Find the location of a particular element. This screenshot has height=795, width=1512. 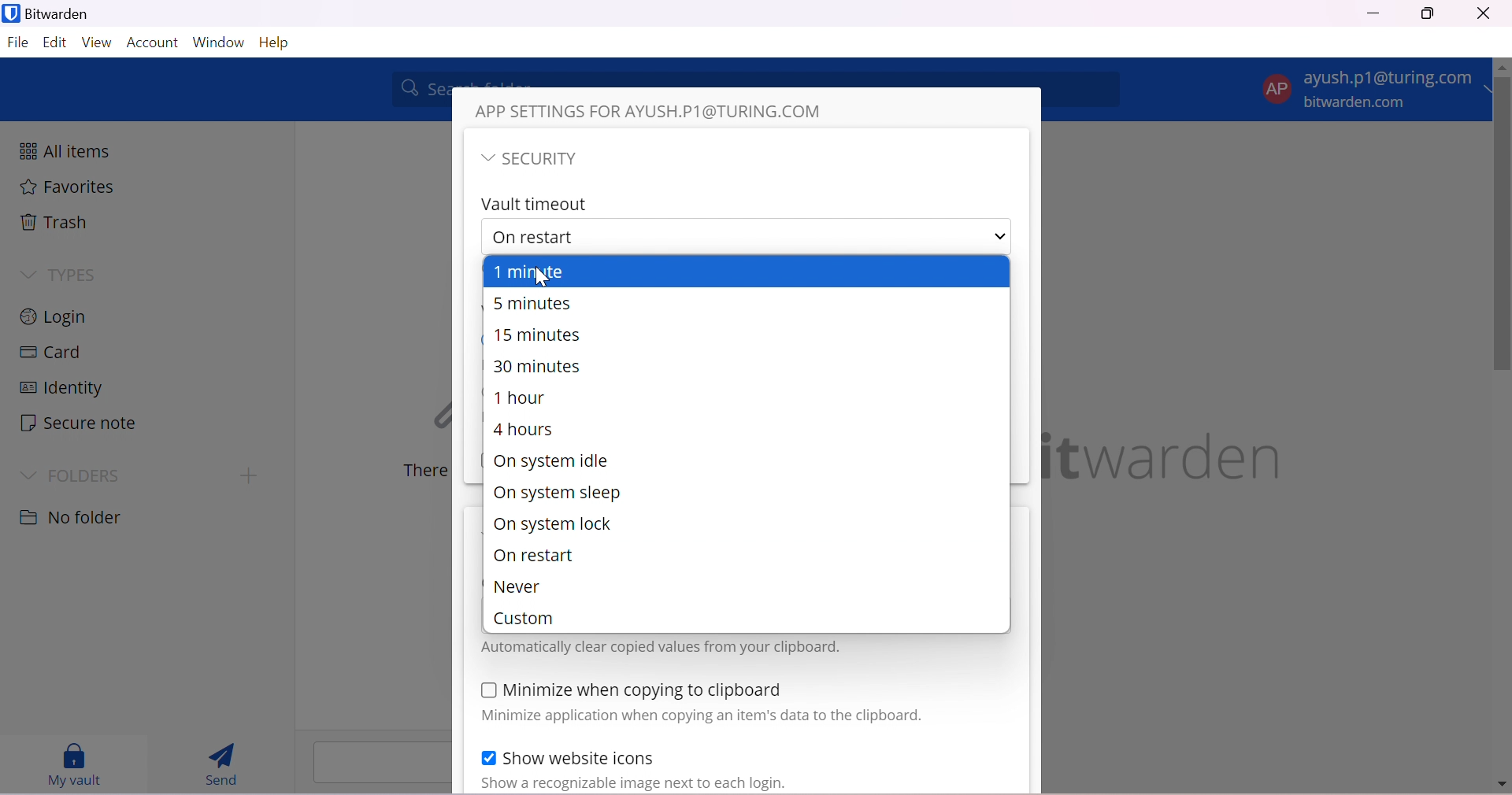

Minimize when copying to clipboard. is located at coordinates (643, 690).